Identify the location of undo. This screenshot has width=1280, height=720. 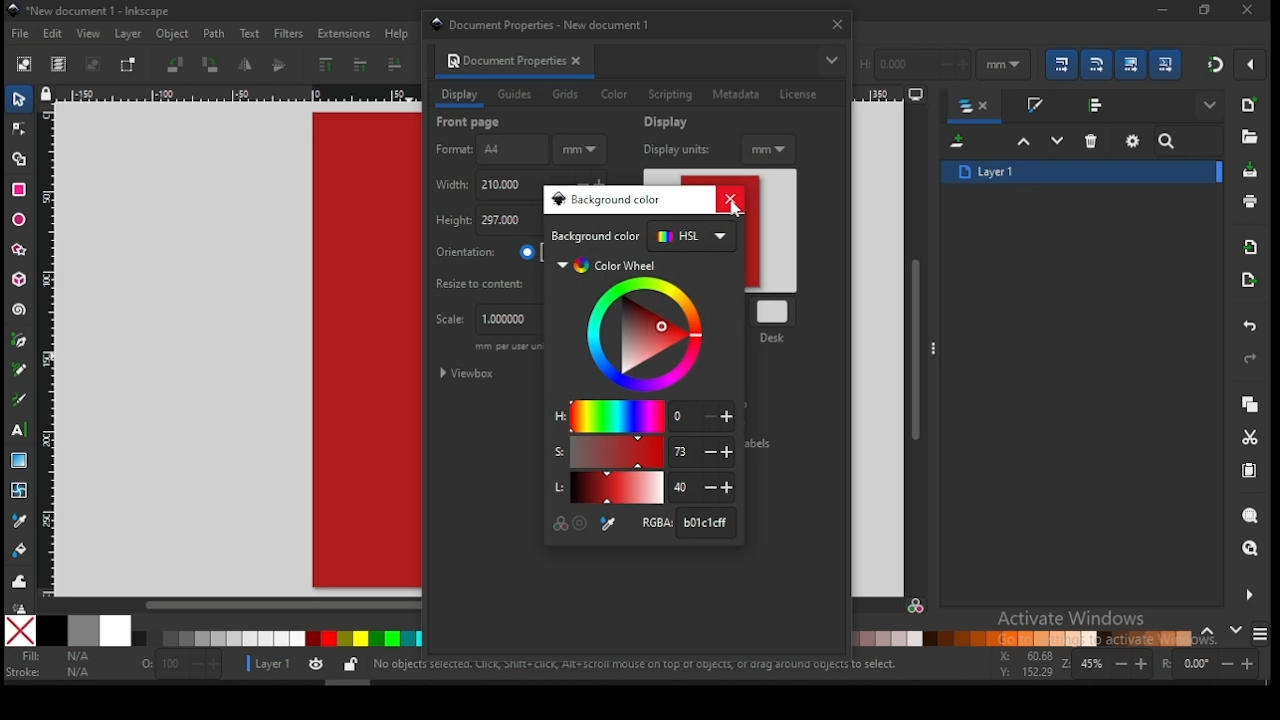
(1253, 327).